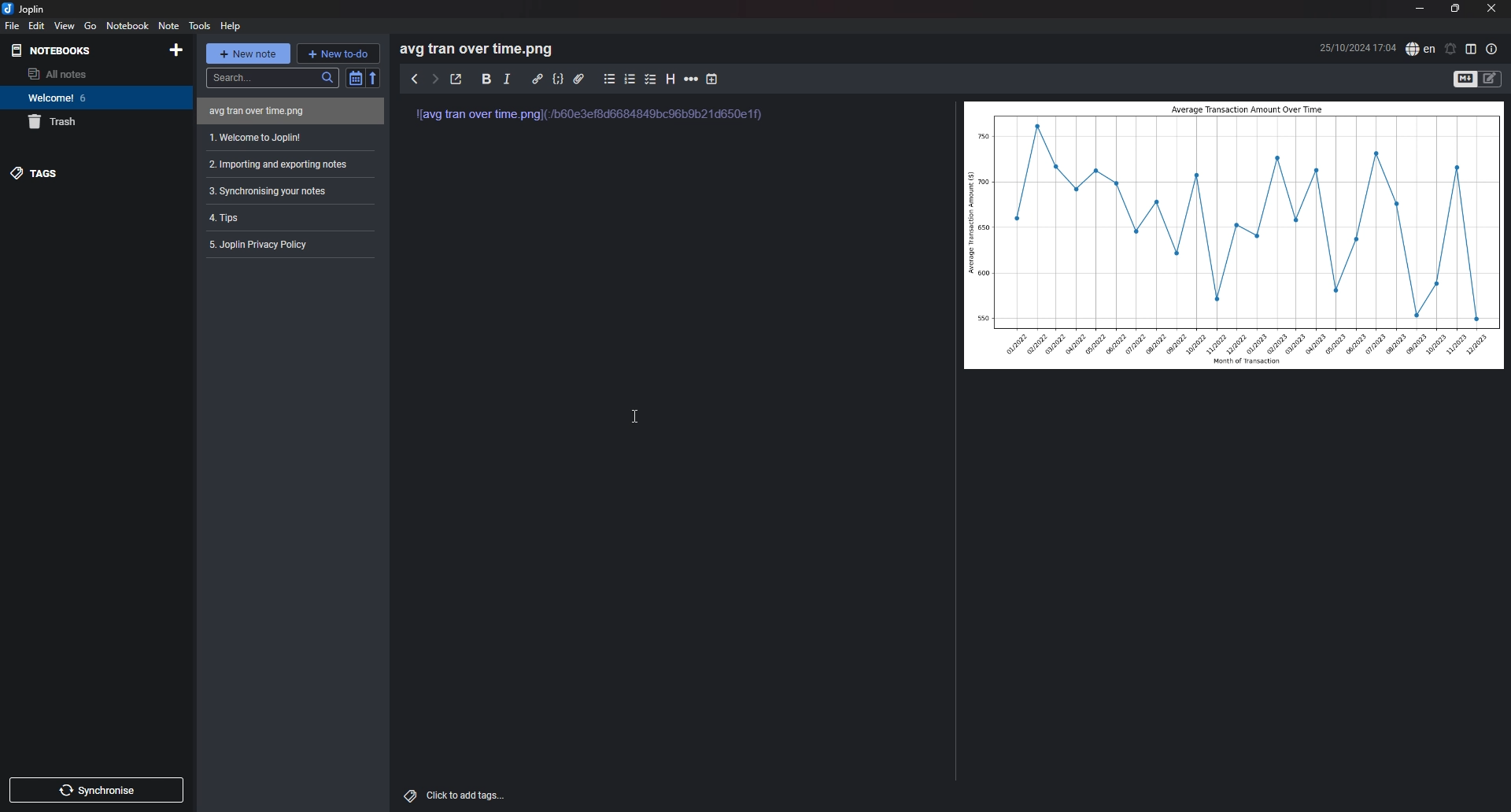  I want to click on toggle editors, so click(1465, 79).